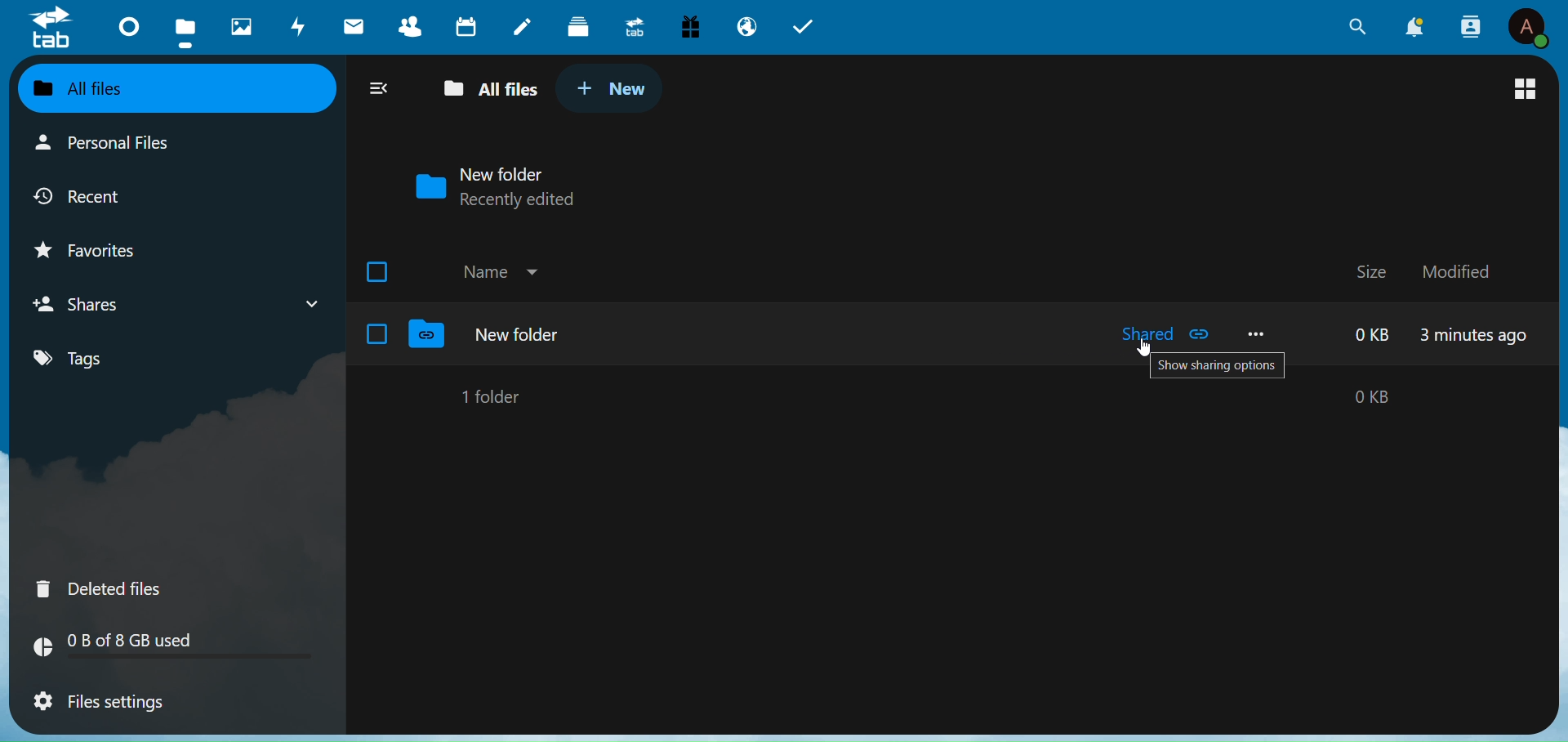 The width and height of the screenshot is (1568, 742). Describe the element at coordinates (377, 333) in the screenshot. I see `Check Box` at that location.